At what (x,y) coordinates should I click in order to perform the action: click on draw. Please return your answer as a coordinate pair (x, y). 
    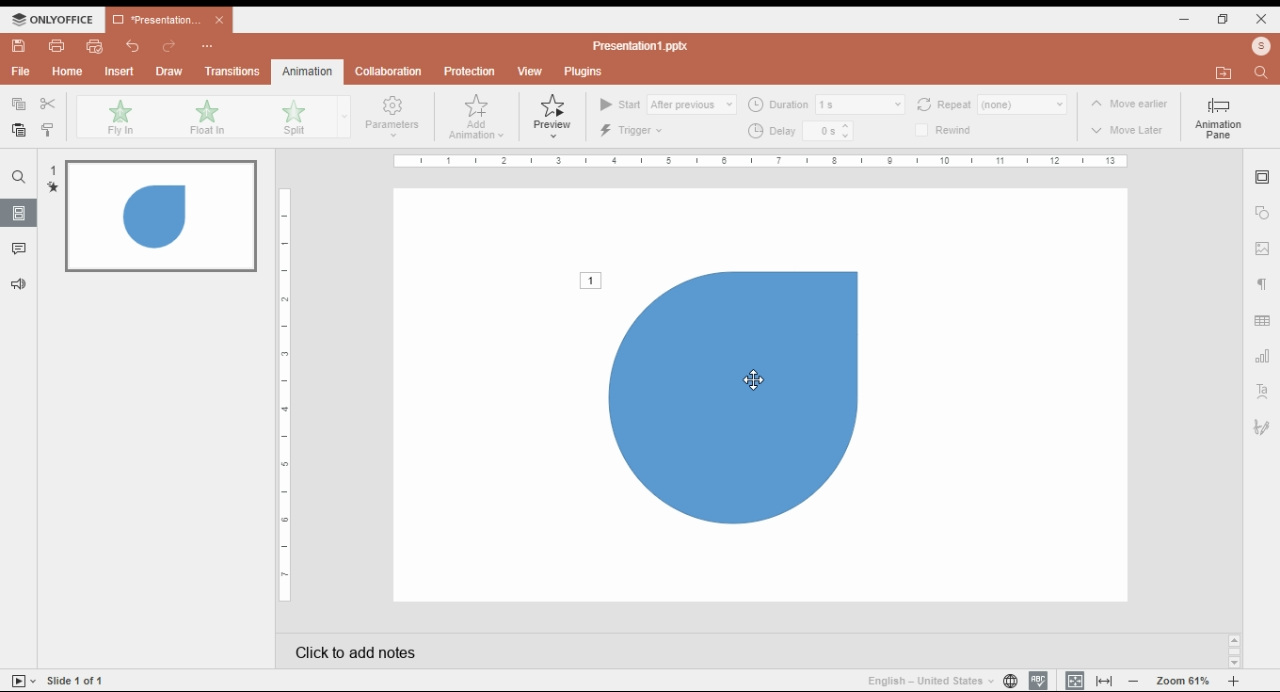
    Looking at the image, I should click on (169, 71).